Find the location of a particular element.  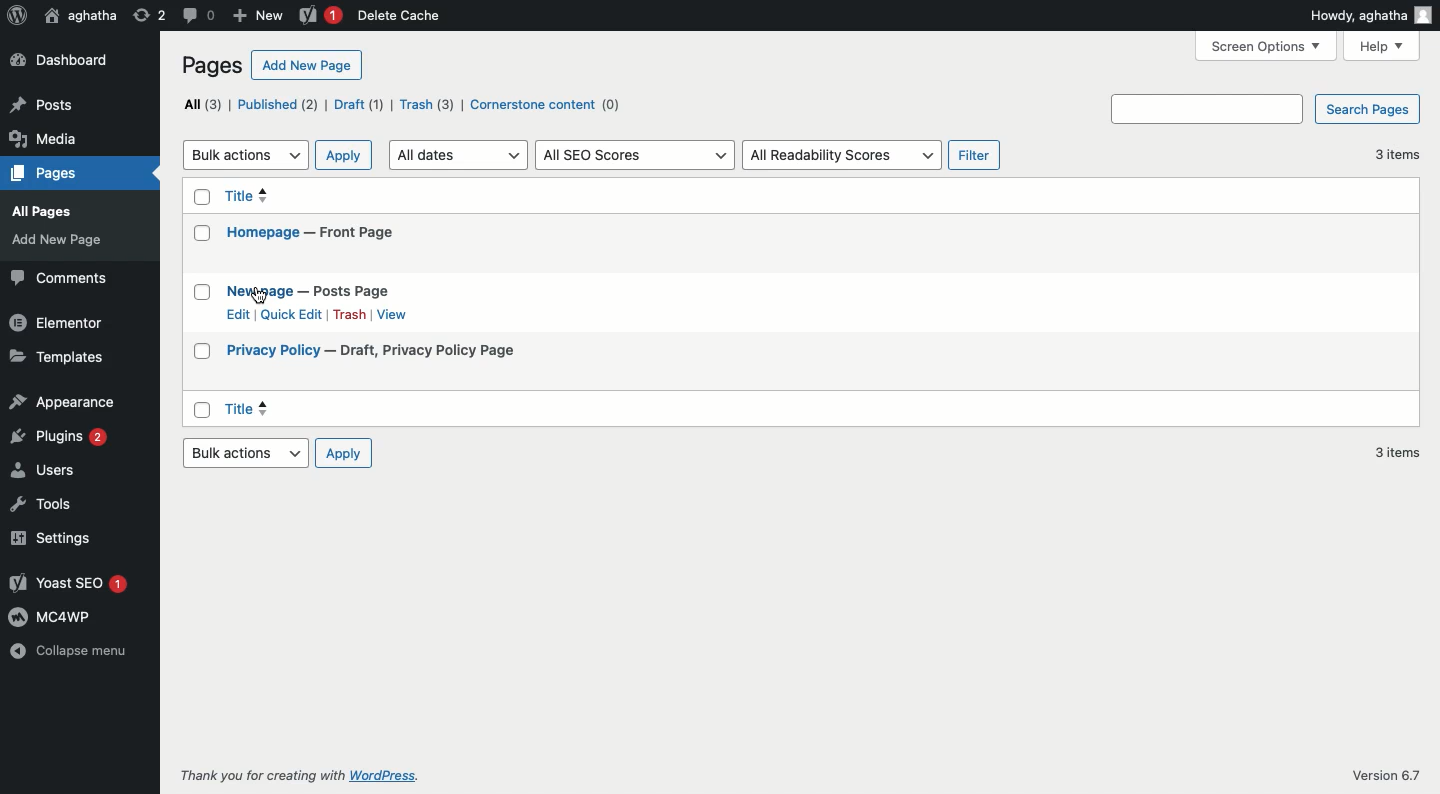

All readability scores is located at coordinates (844, 155).